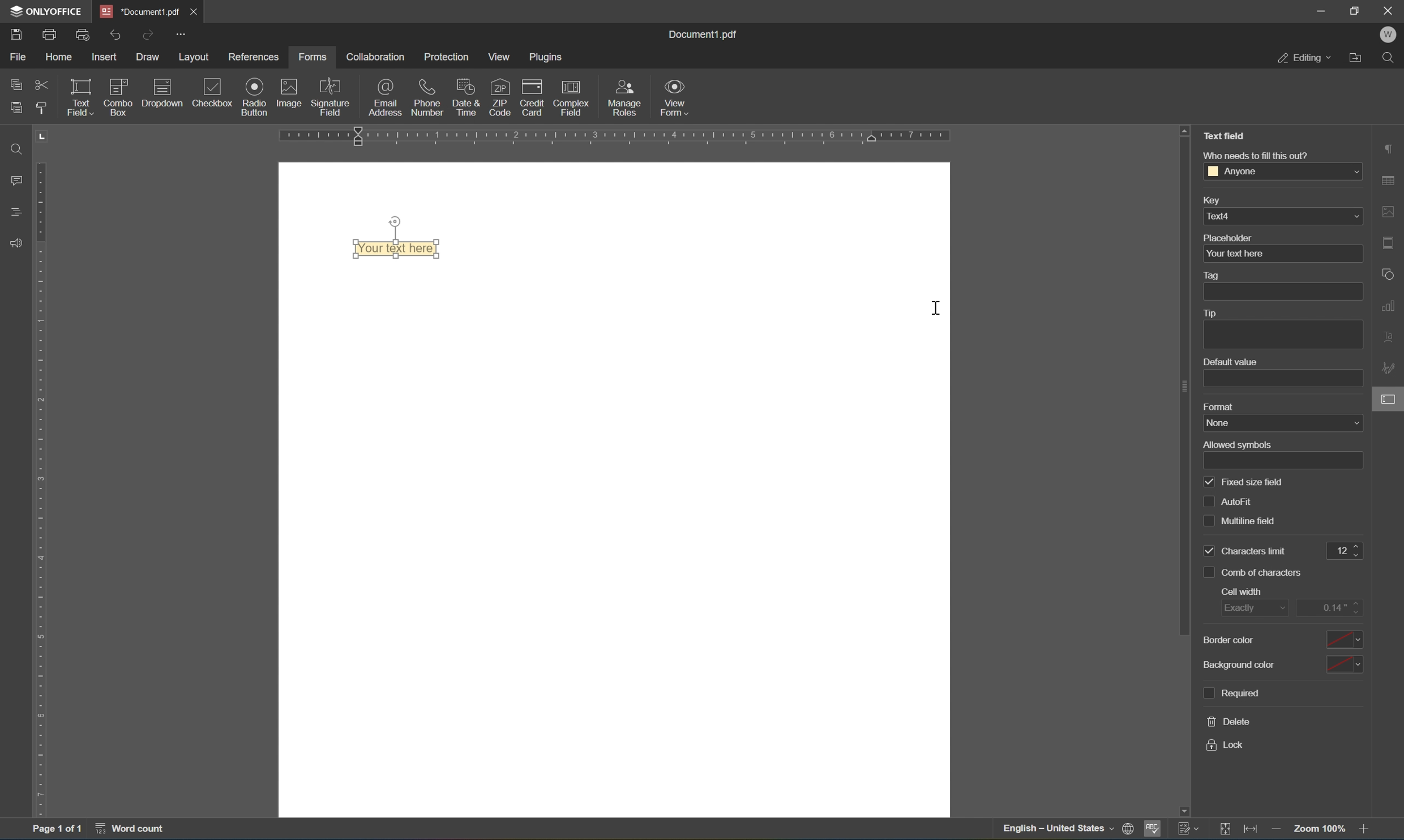  Describe the element at coordinates (1256, 551) in the screenshot. I see `characters limit` at that location.